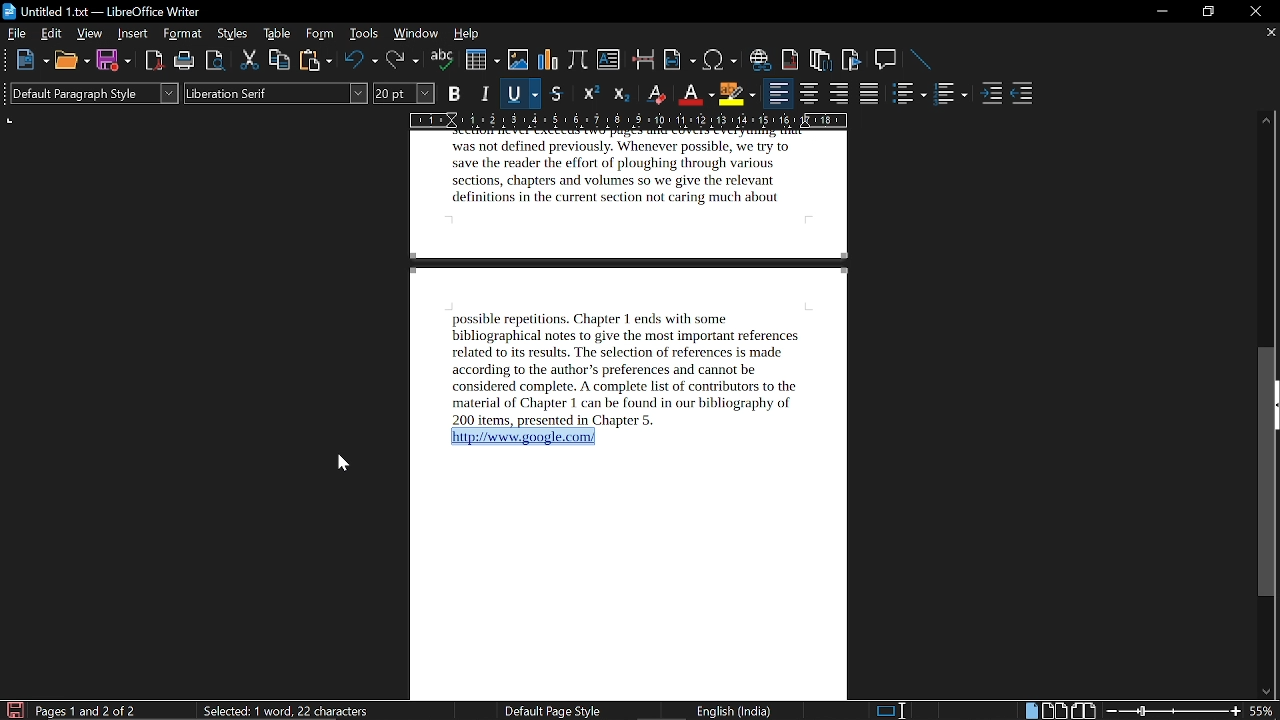  I want to click on insert text, so click(608, 62).